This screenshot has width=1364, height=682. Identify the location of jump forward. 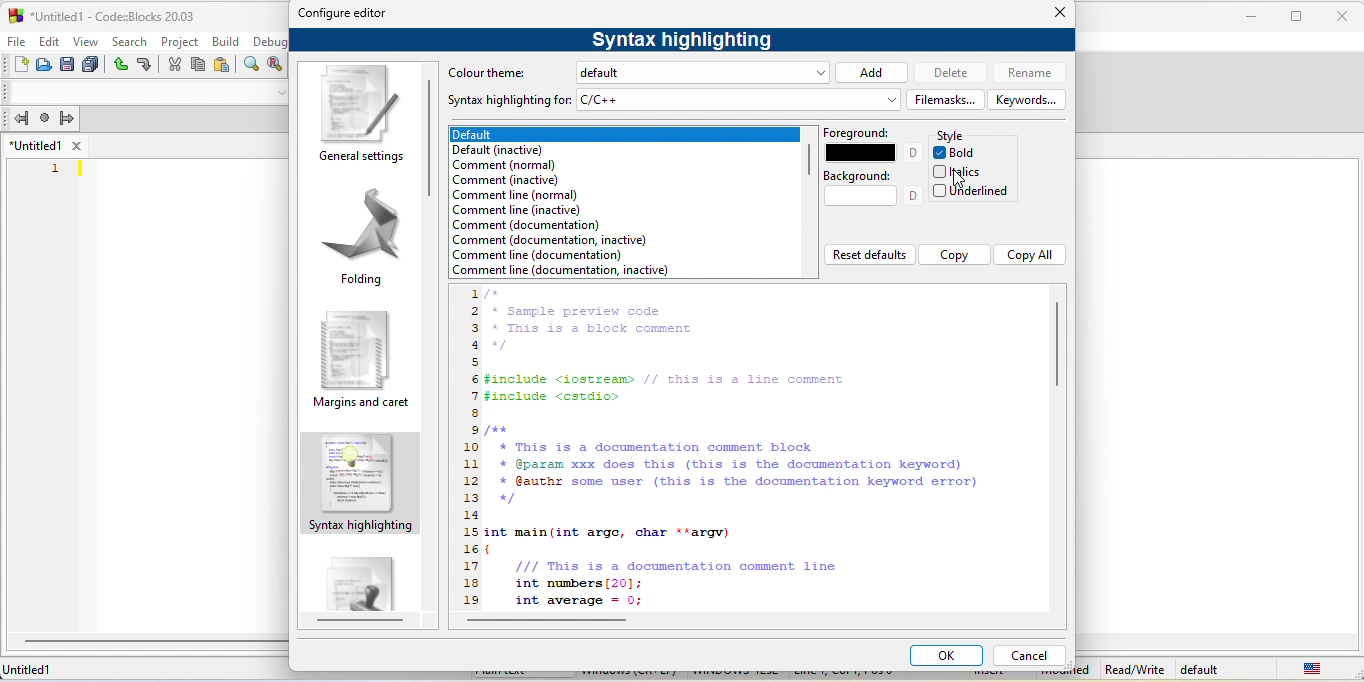
(67, 117).